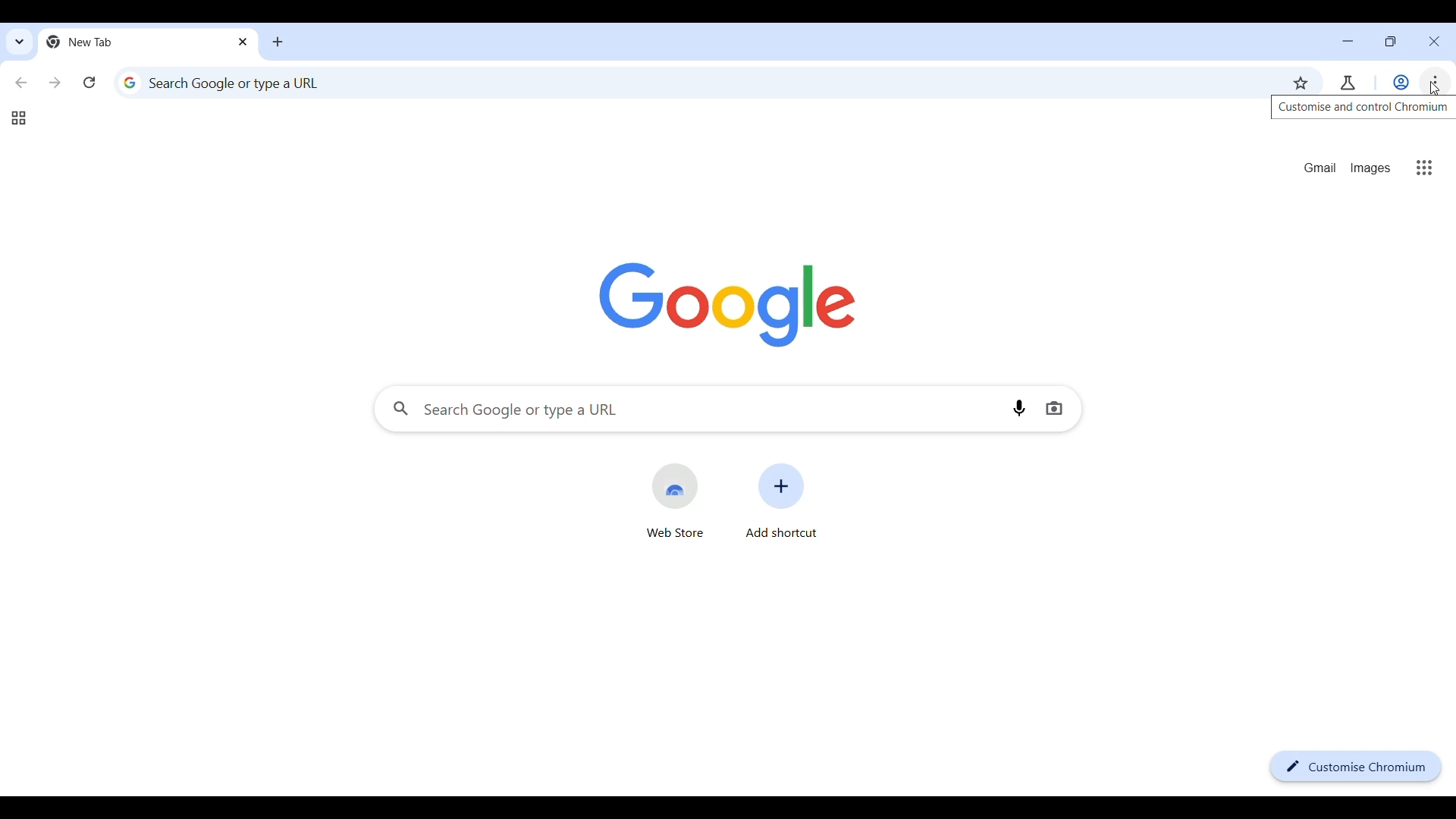 The height and width of the screenshot is (819, 1456). Describe the element at coordinates (1301, 83) in the screenshot. I see `Bookmark this tab` at that location.